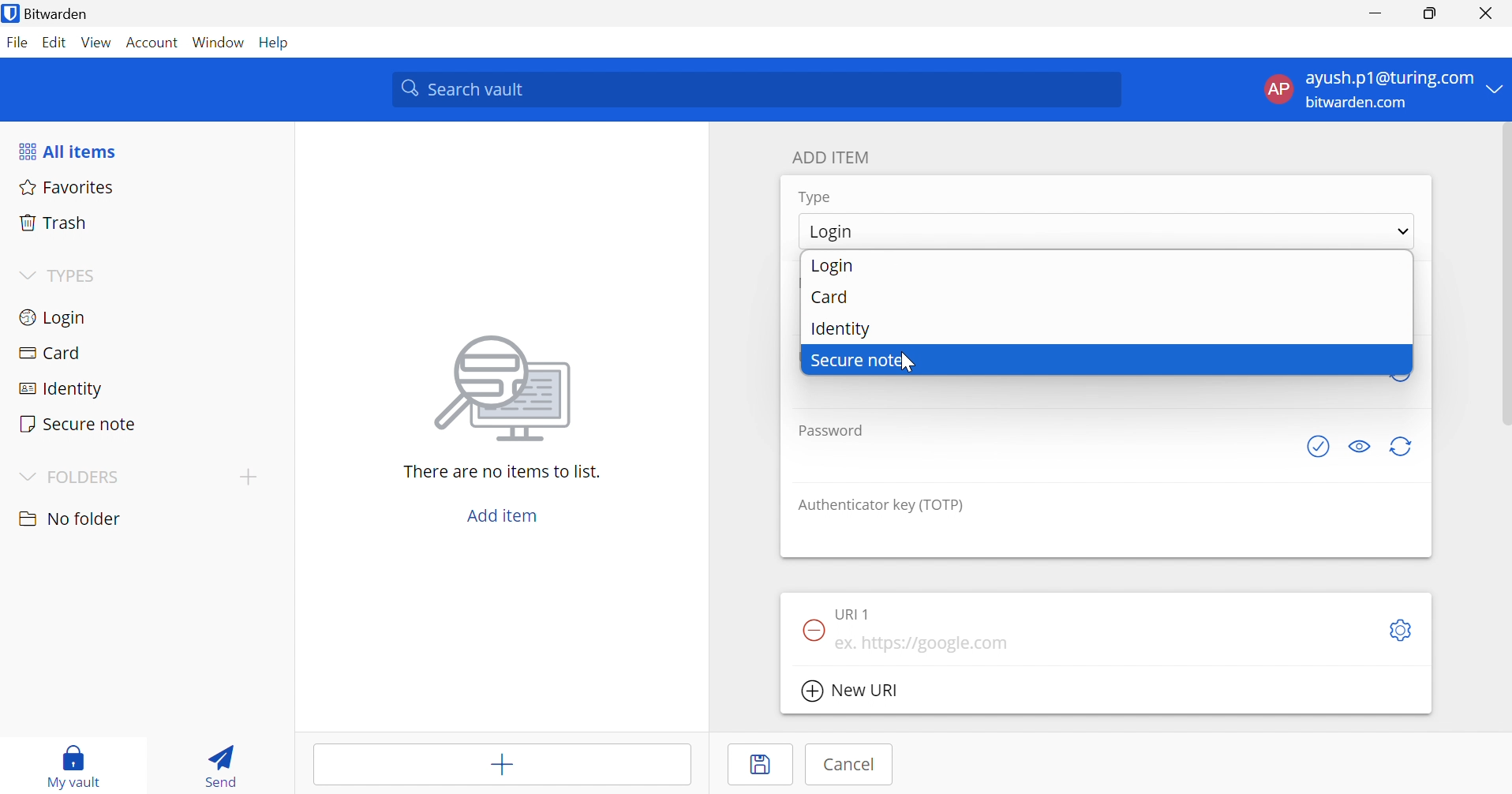 This screenshot has height=794, width=1512. Describe the element at coordinates (51, 320) in the screenshot. I see `Login` at that location.